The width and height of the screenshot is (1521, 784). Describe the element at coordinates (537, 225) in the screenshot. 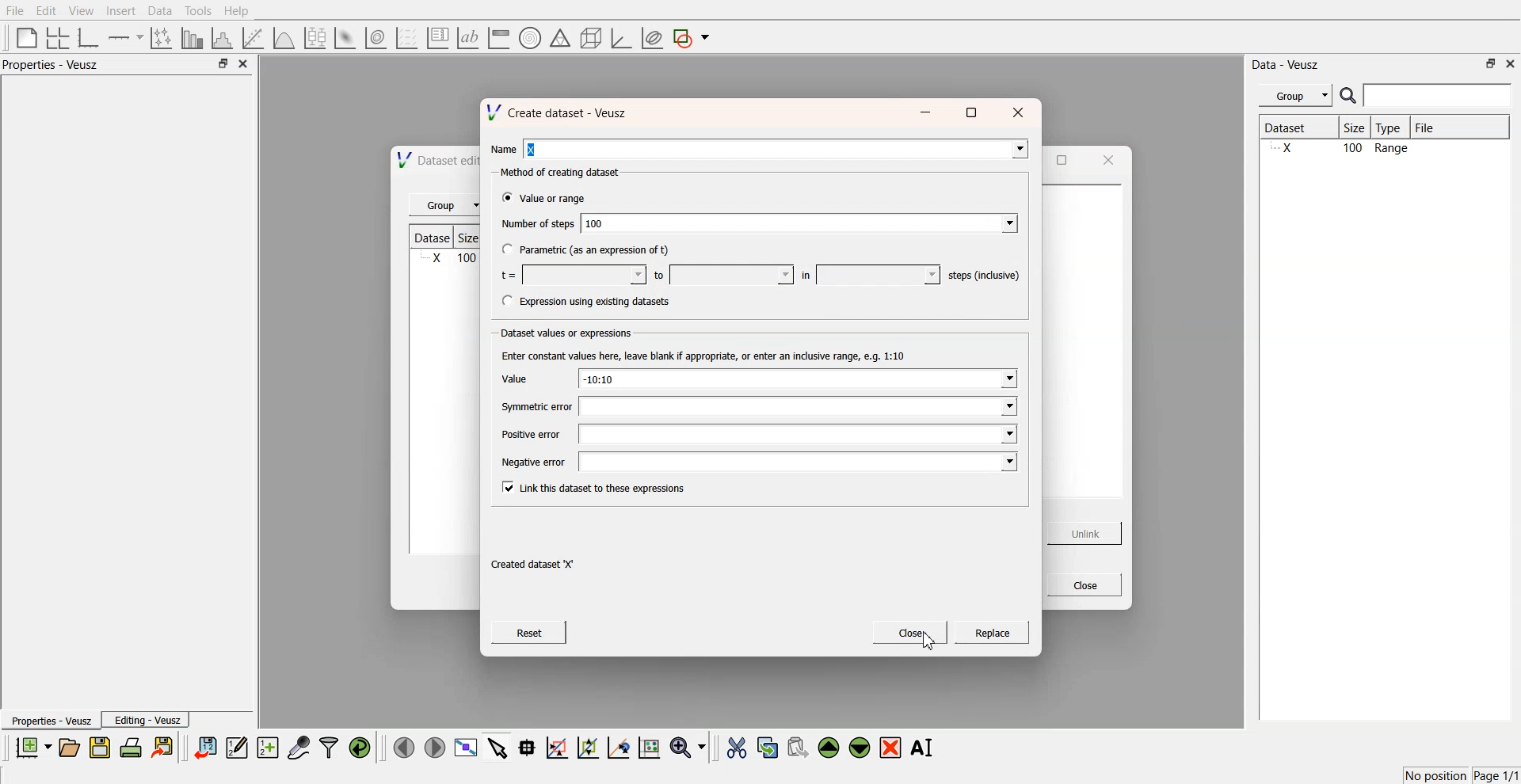

I see `‘Number of steps` at that location.